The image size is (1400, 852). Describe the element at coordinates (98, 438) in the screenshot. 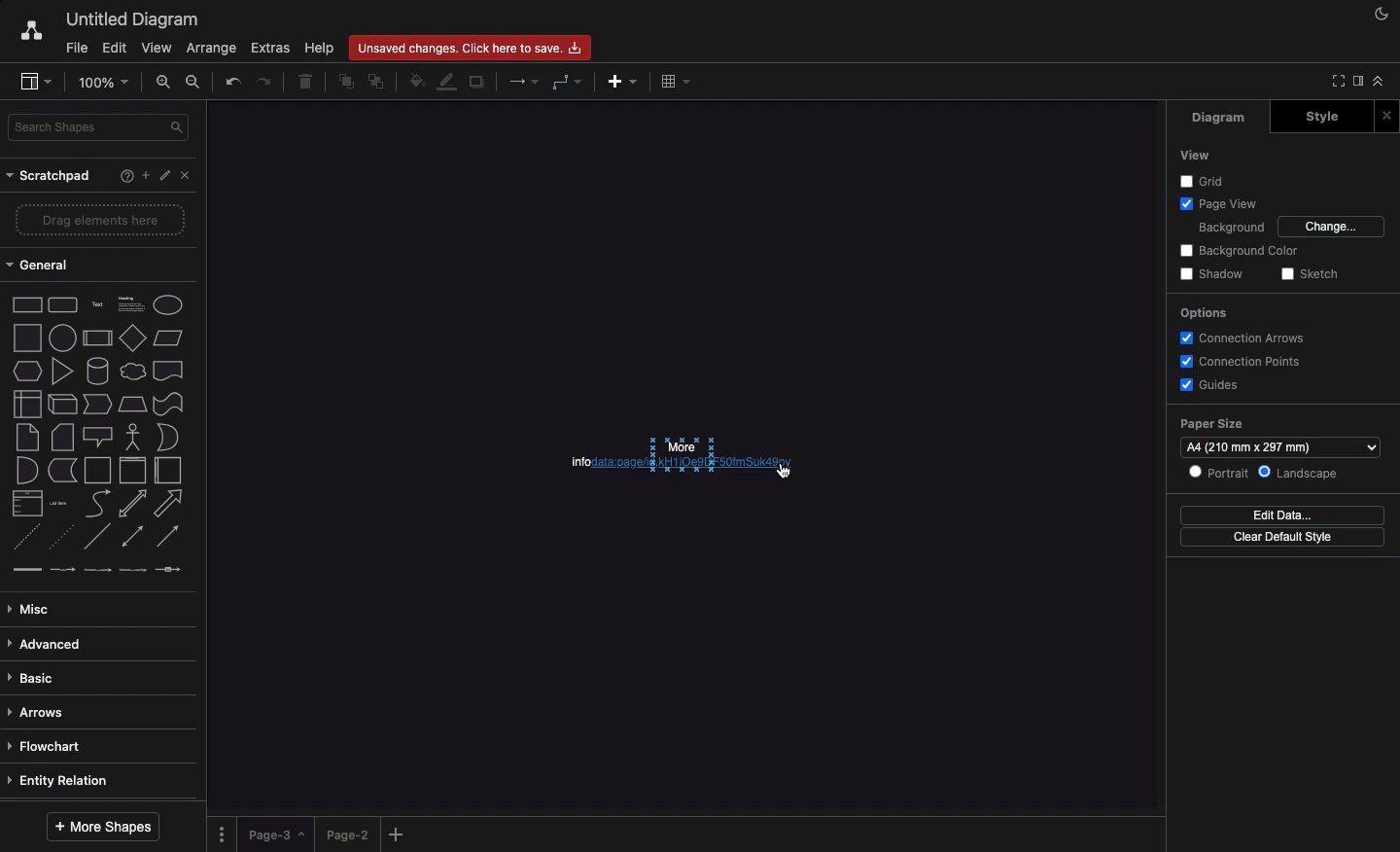

I see `callout` at that location.